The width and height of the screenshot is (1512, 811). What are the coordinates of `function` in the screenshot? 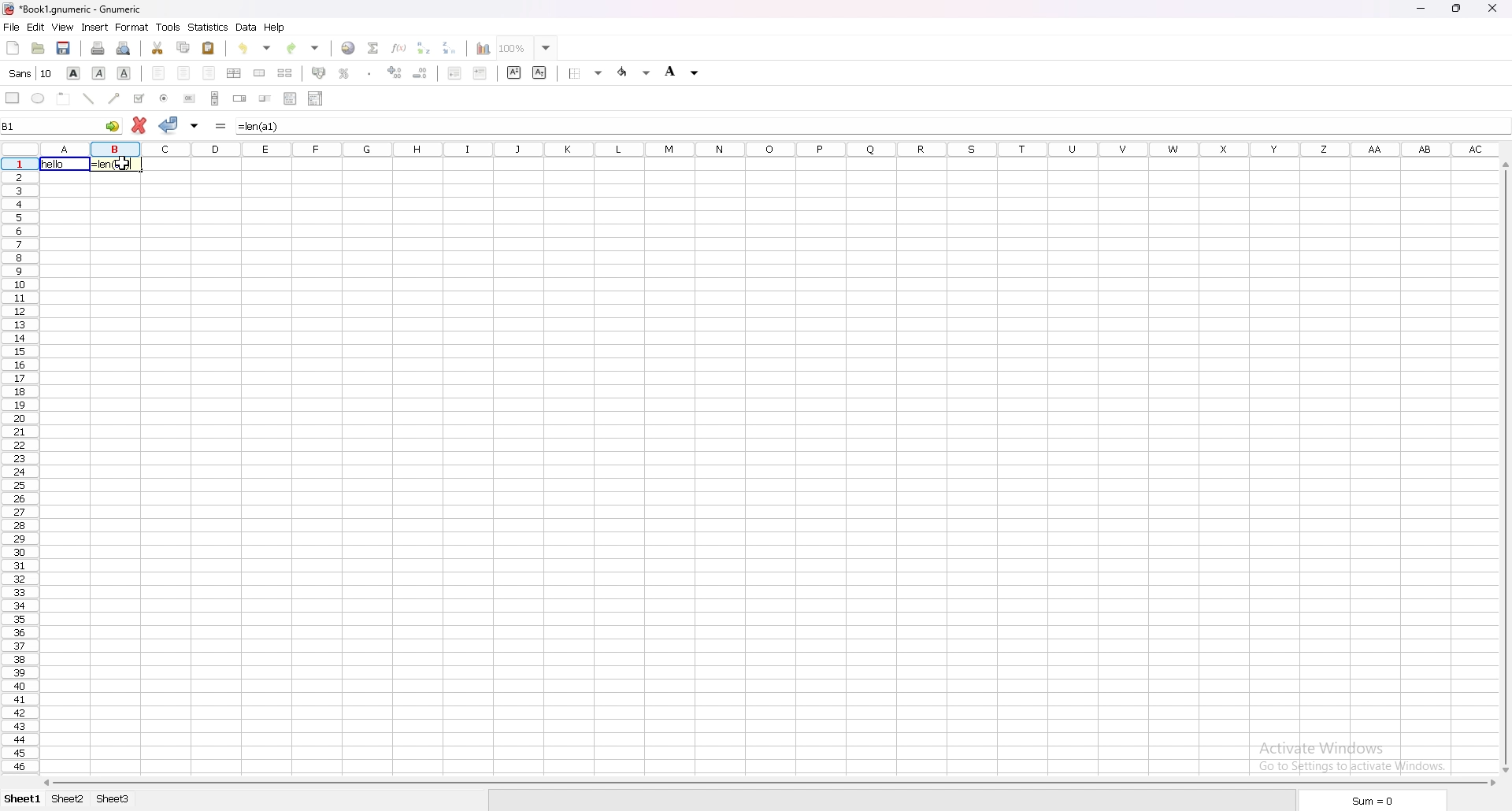 It's located at (399, 47).